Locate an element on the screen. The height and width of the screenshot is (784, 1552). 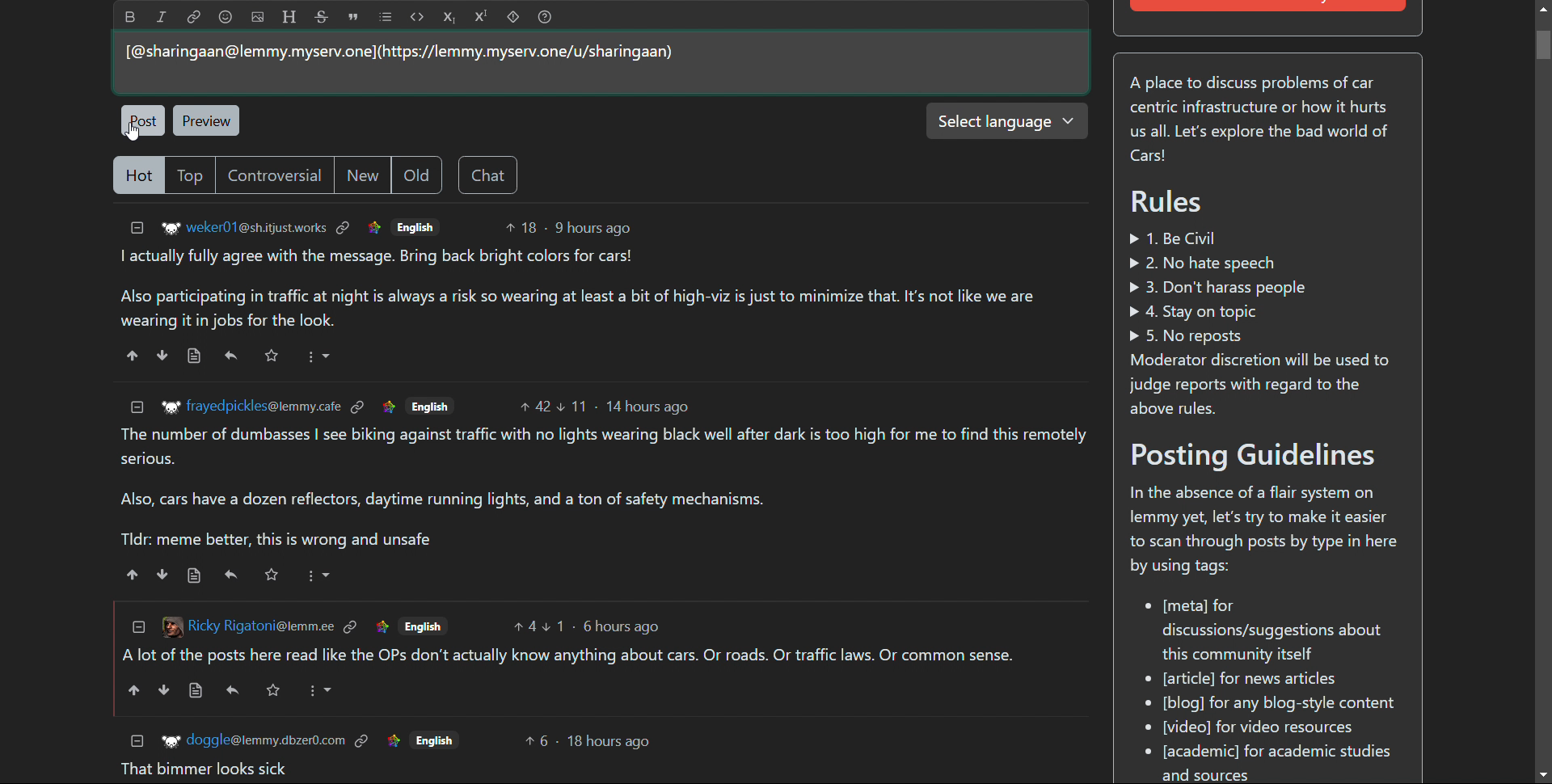
upvote is located at coordinates (133, 356).